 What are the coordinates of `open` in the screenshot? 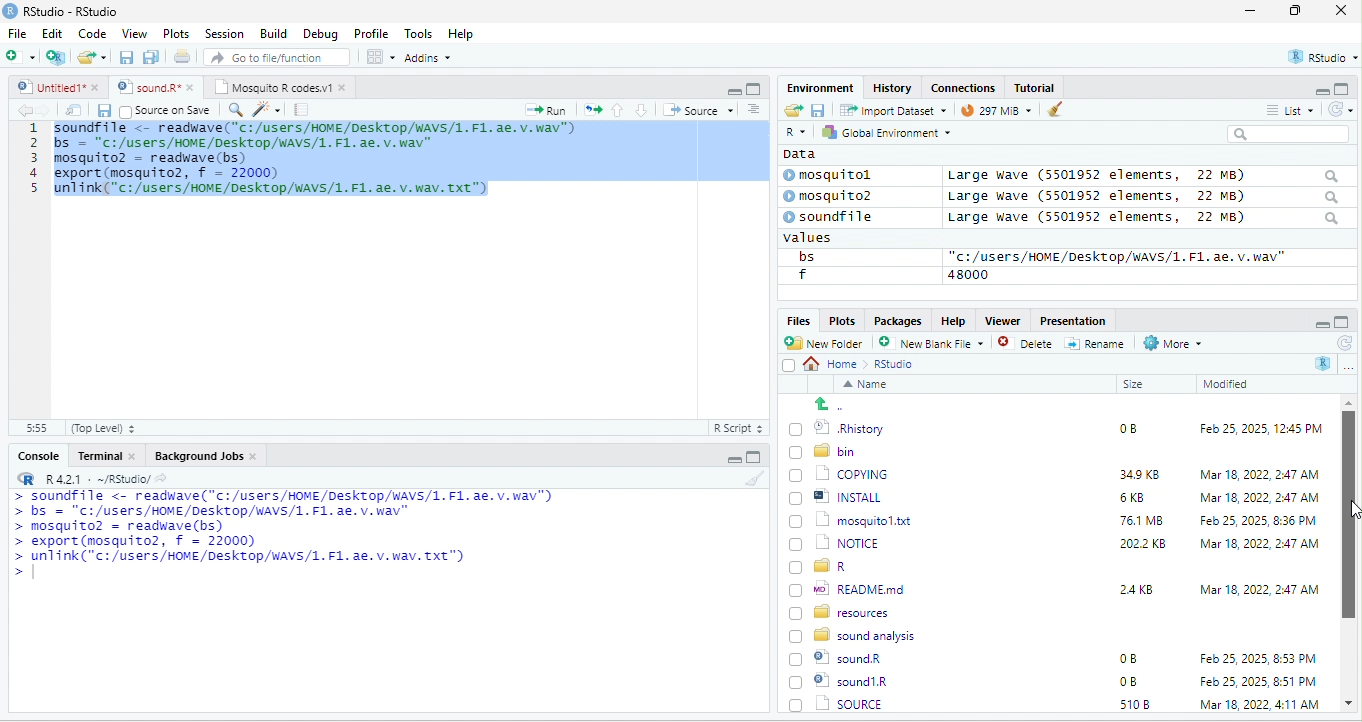 It's located at (593, 108).